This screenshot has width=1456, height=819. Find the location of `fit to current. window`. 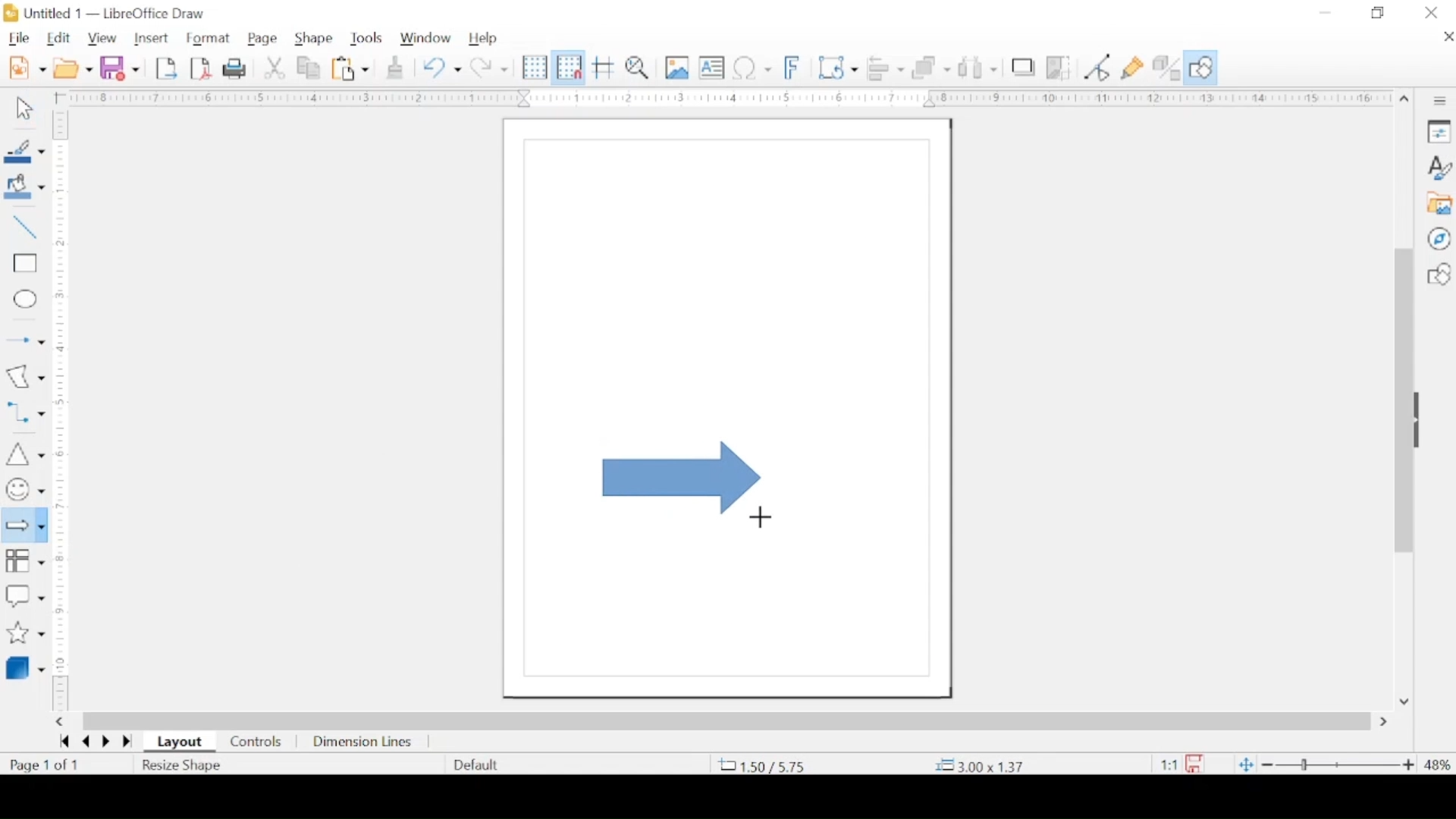

fit to current. window is located at coordinates (1244, 764).